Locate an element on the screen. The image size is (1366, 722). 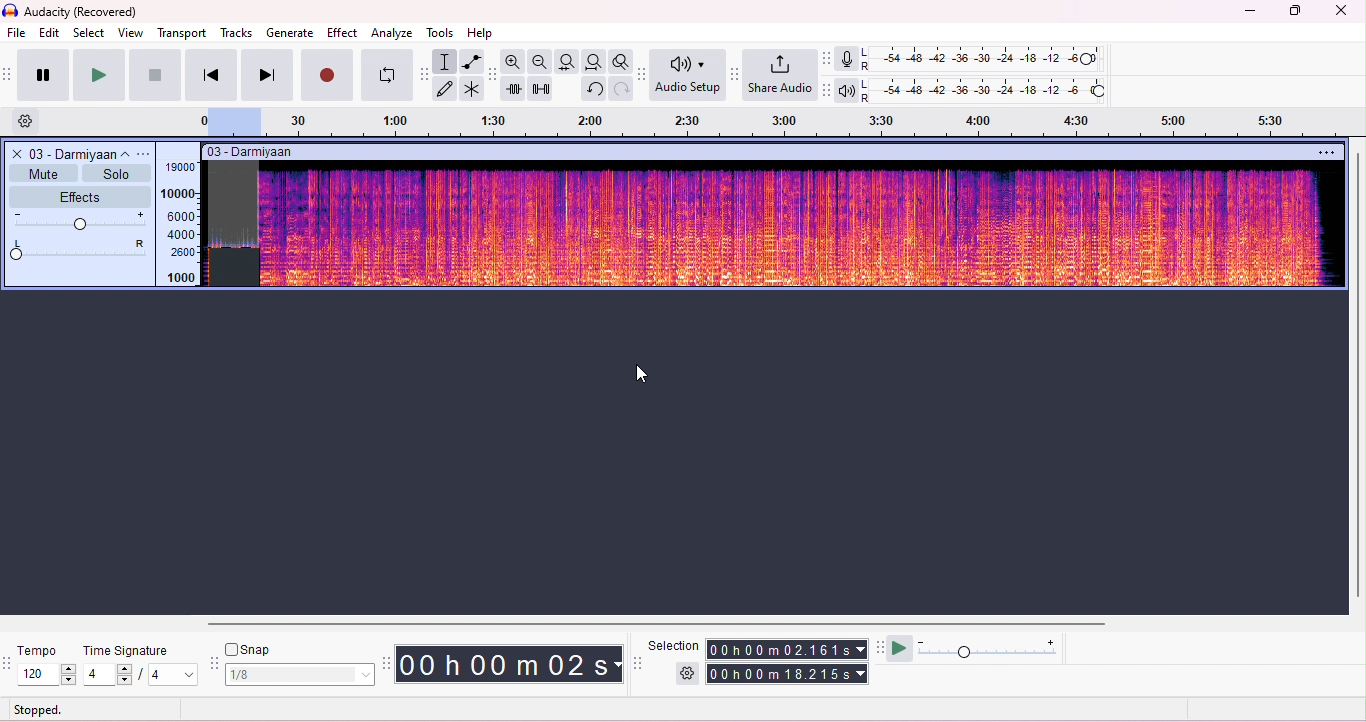
play at speed/play at speed once is located at coordinates (899, 649).